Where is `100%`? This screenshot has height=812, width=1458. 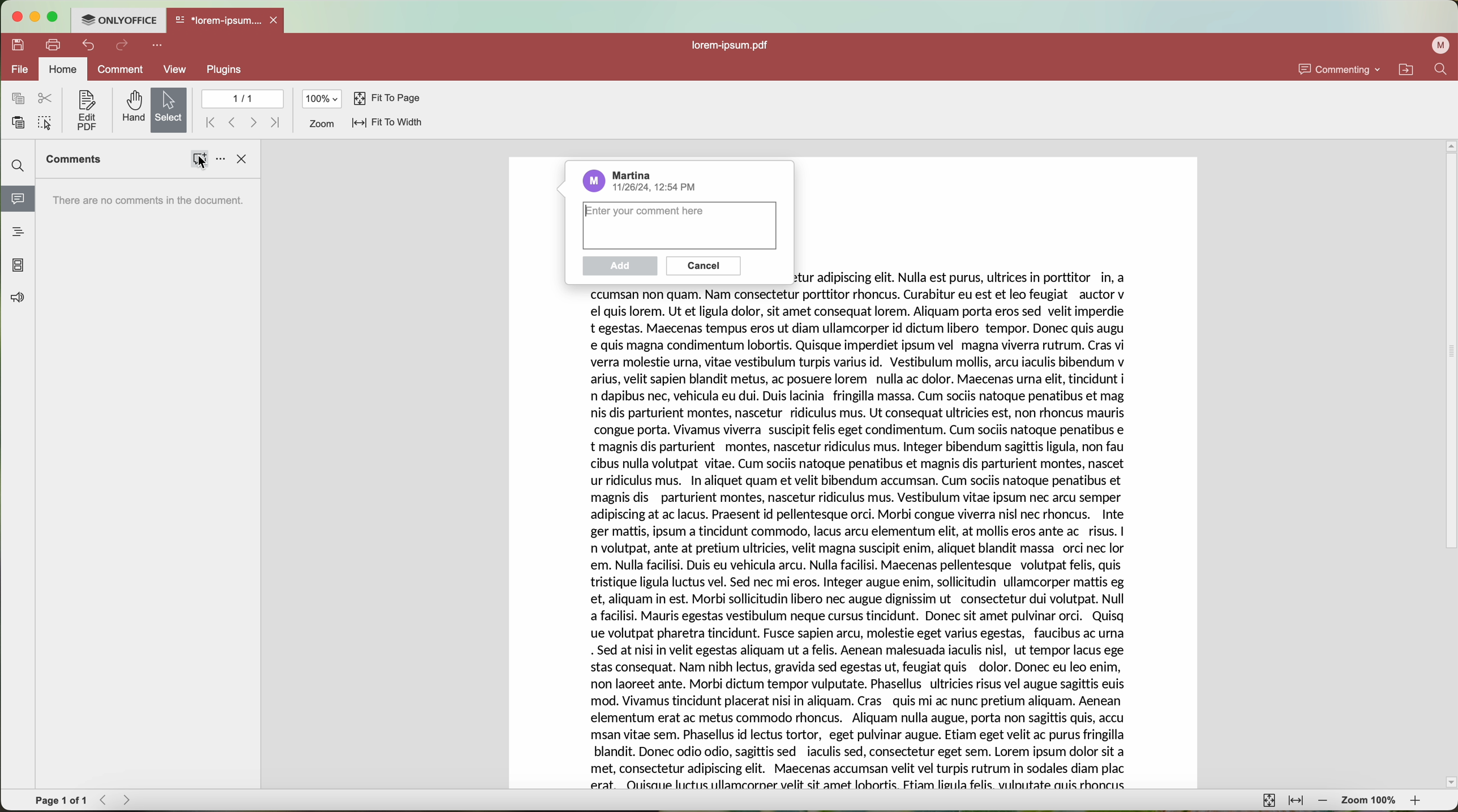 100% is located at coordinates (322, 98).